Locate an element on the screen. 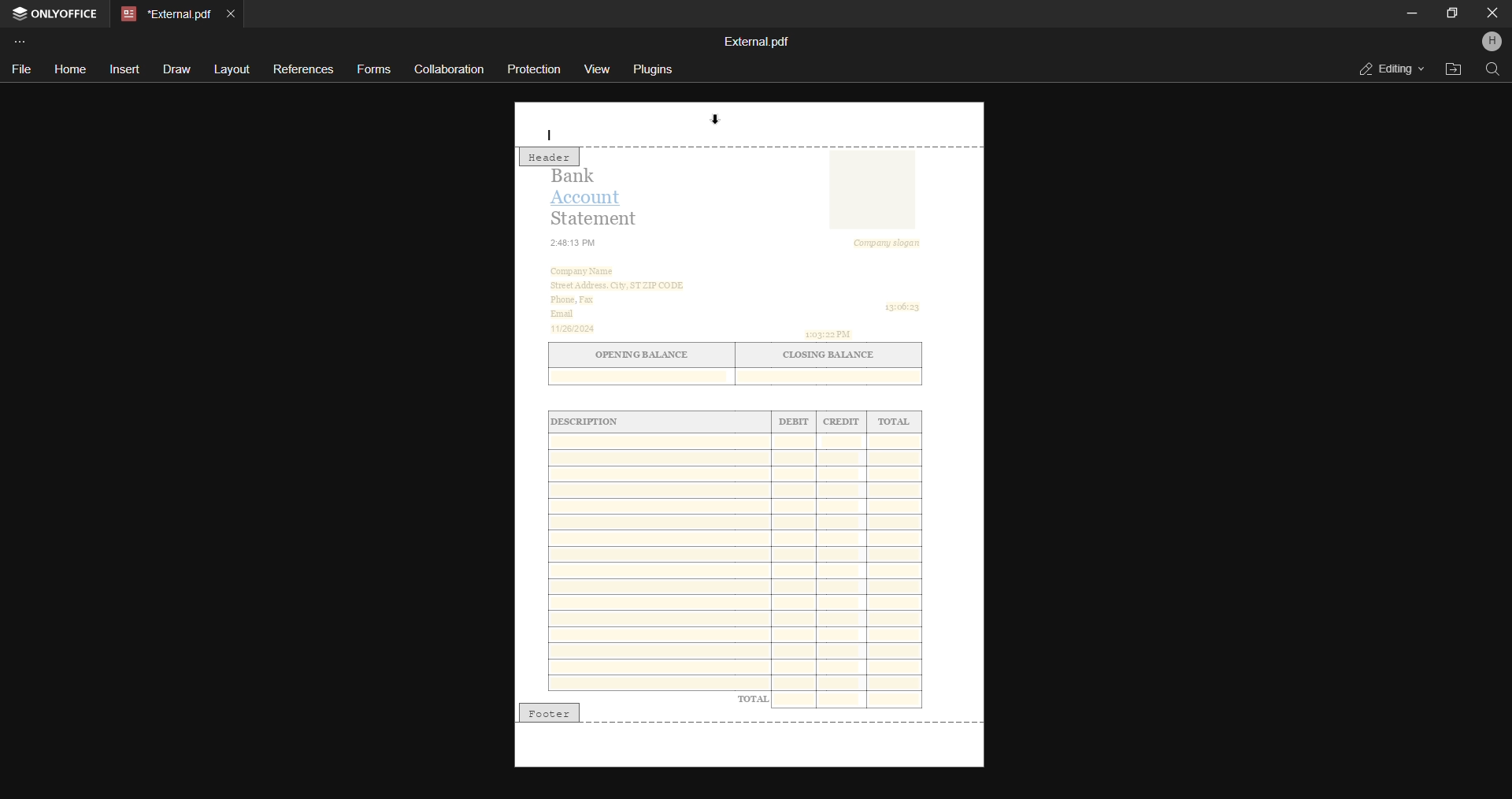 The image size is (1512, 799). collaboration is located at coordinates (449, 68).